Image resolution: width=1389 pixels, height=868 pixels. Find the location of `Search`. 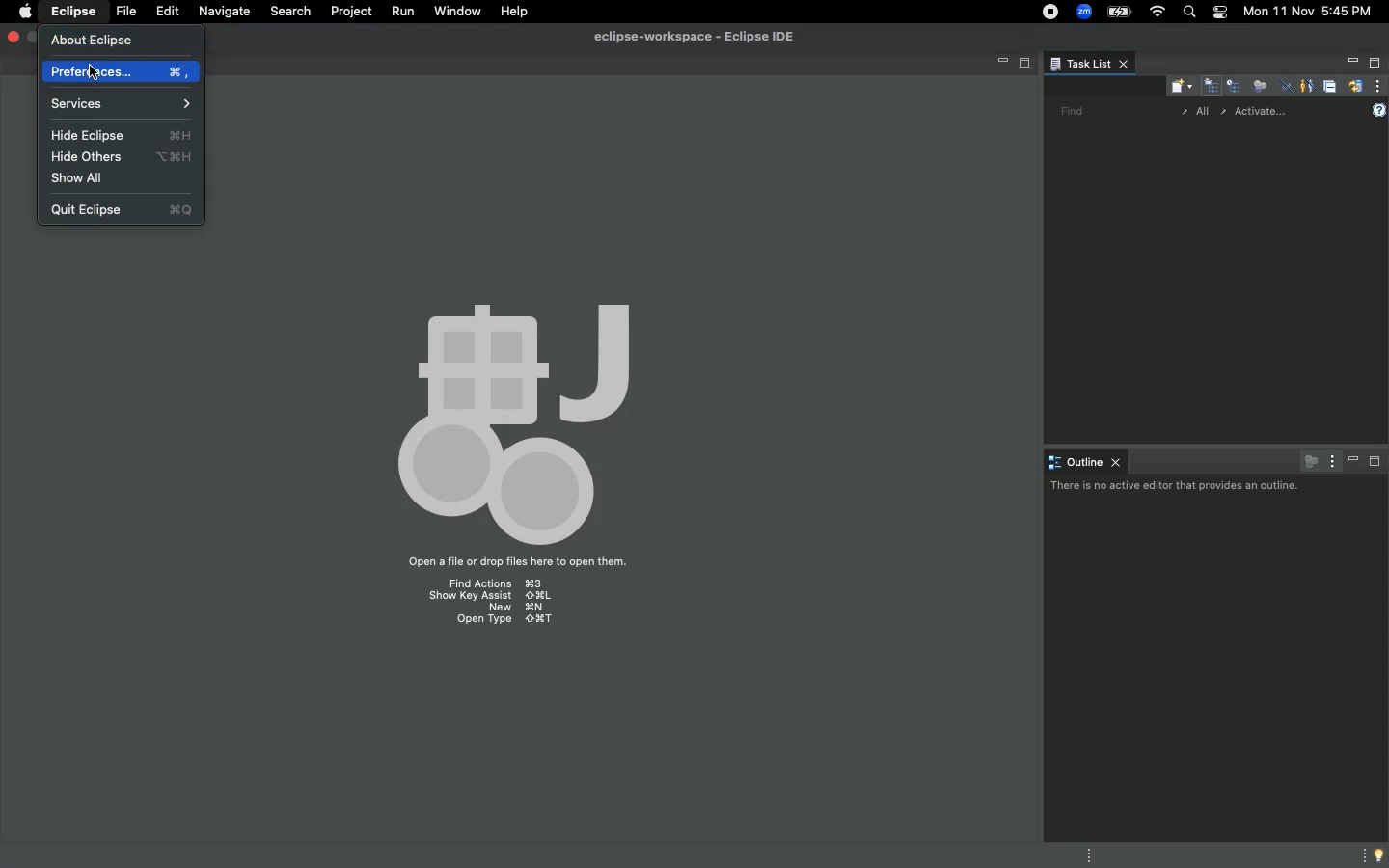

Search is located at coordinates (290, 10).